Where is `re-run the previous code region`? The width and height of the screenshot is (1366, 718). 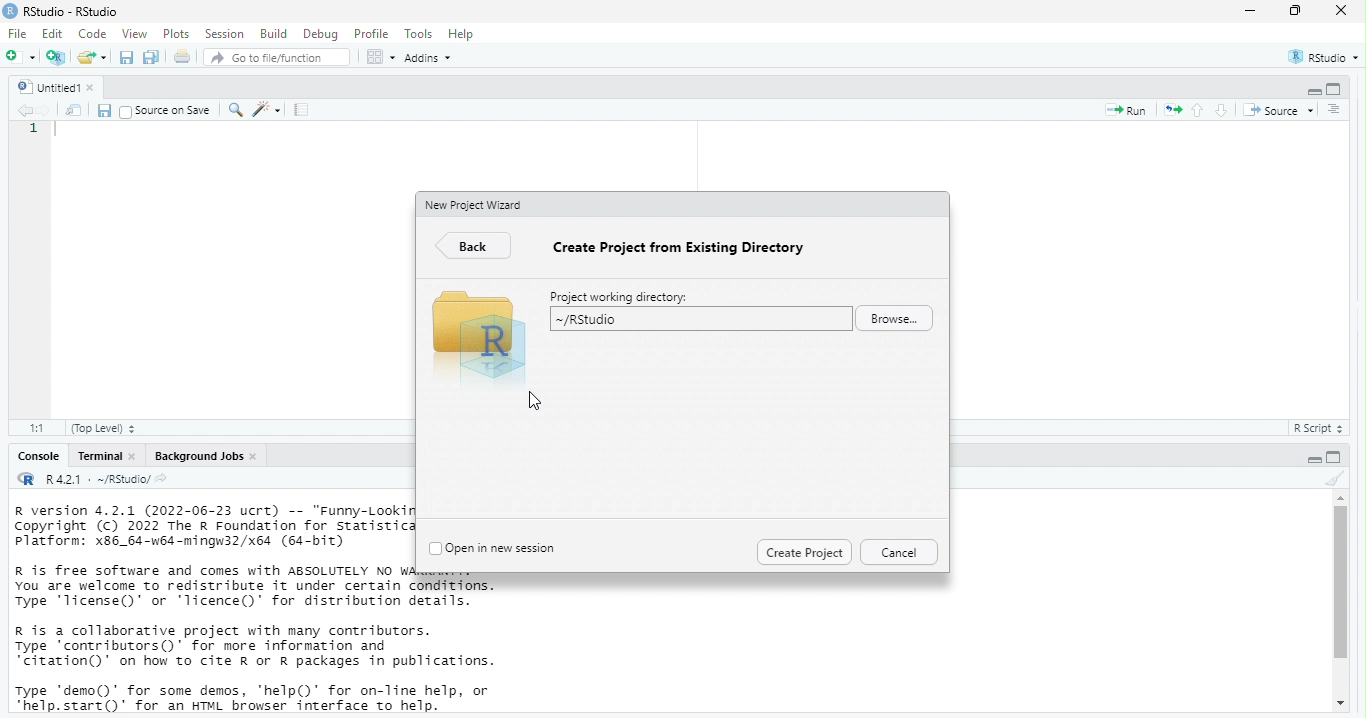
re-run the previous code region is located at coordinates (1172, 111).